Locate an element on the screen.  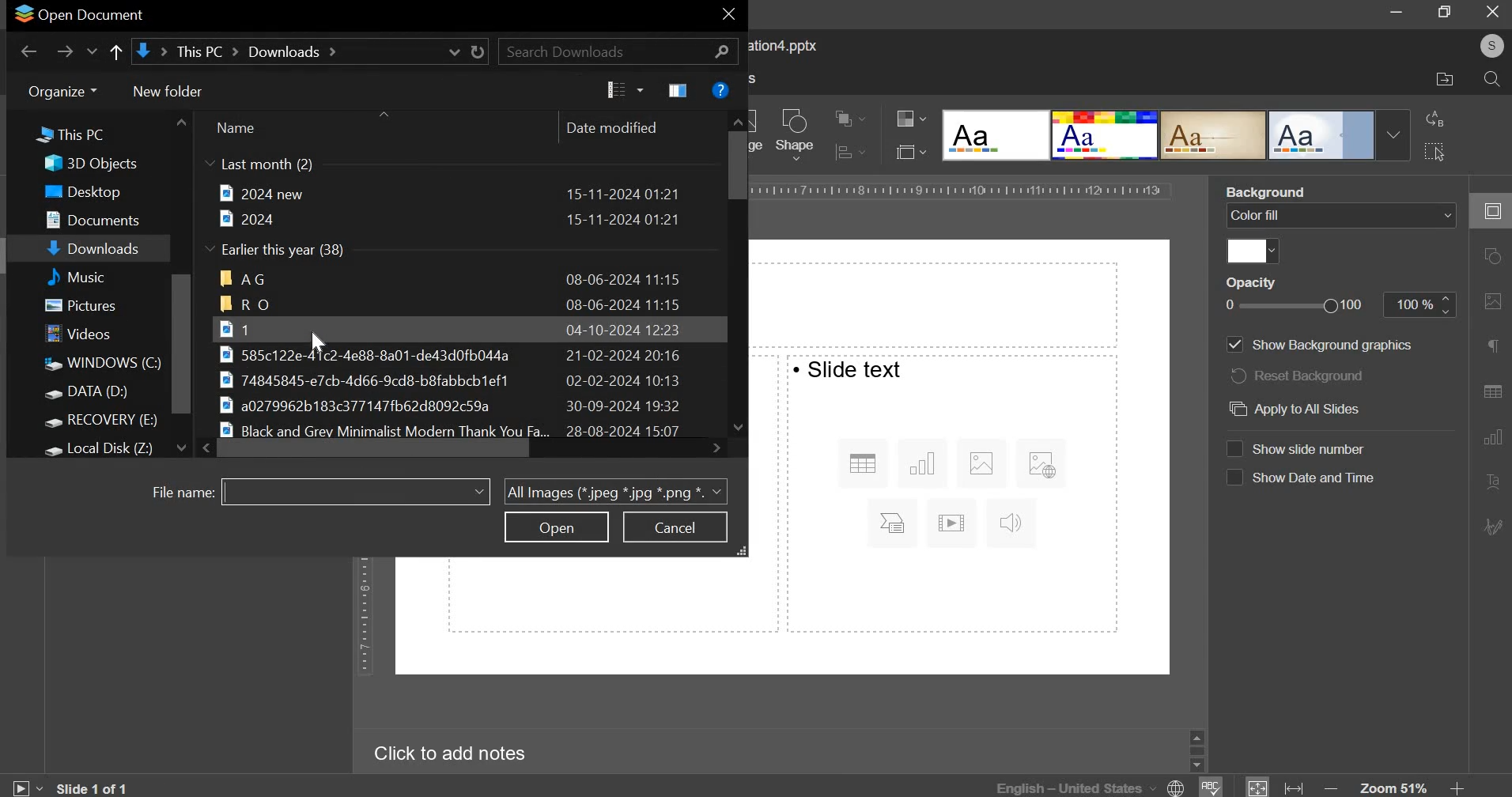
design is located at coordinates (1323, 136).